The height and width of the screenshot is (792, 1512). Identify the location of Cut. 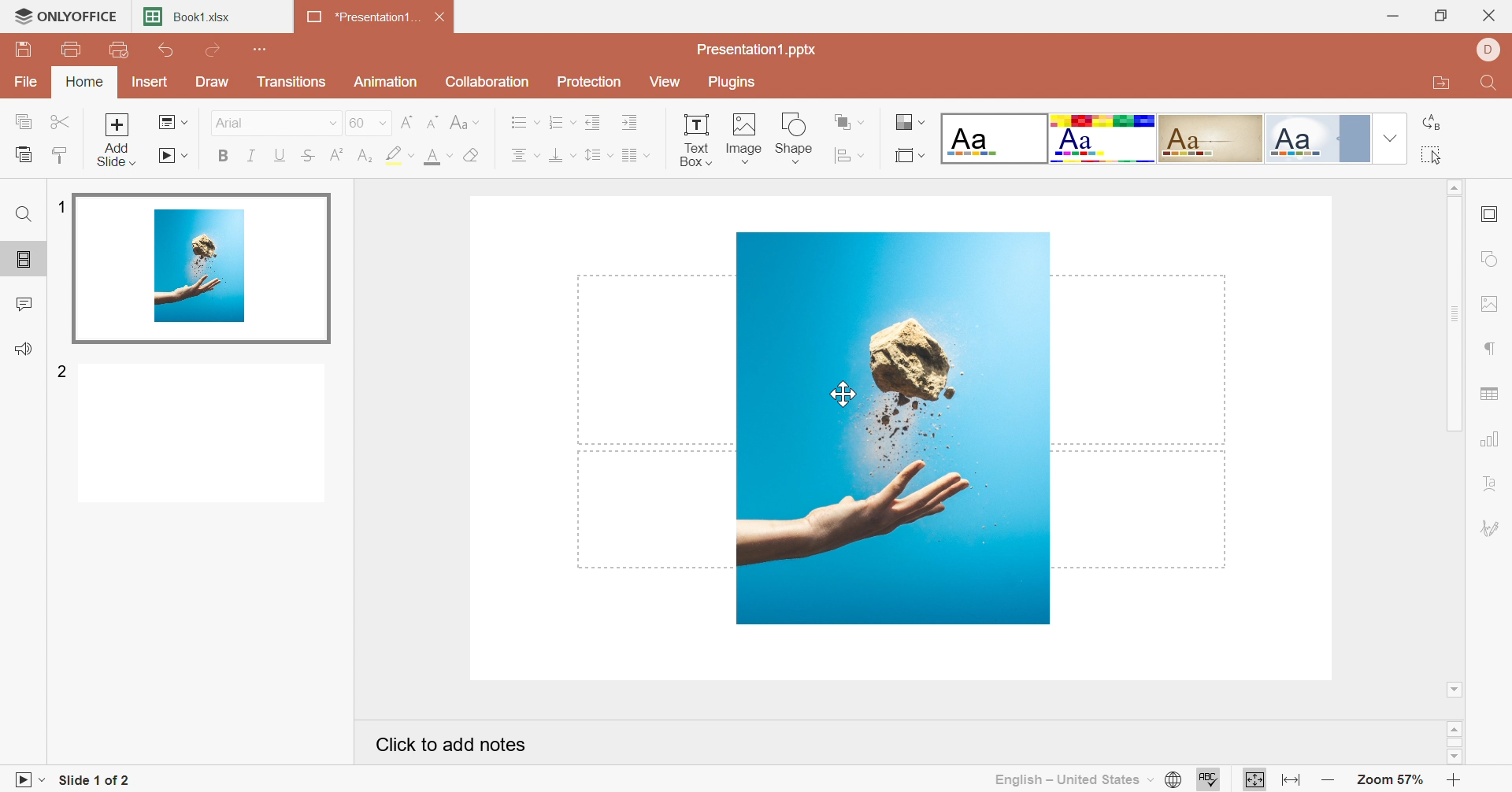
(62, 121).